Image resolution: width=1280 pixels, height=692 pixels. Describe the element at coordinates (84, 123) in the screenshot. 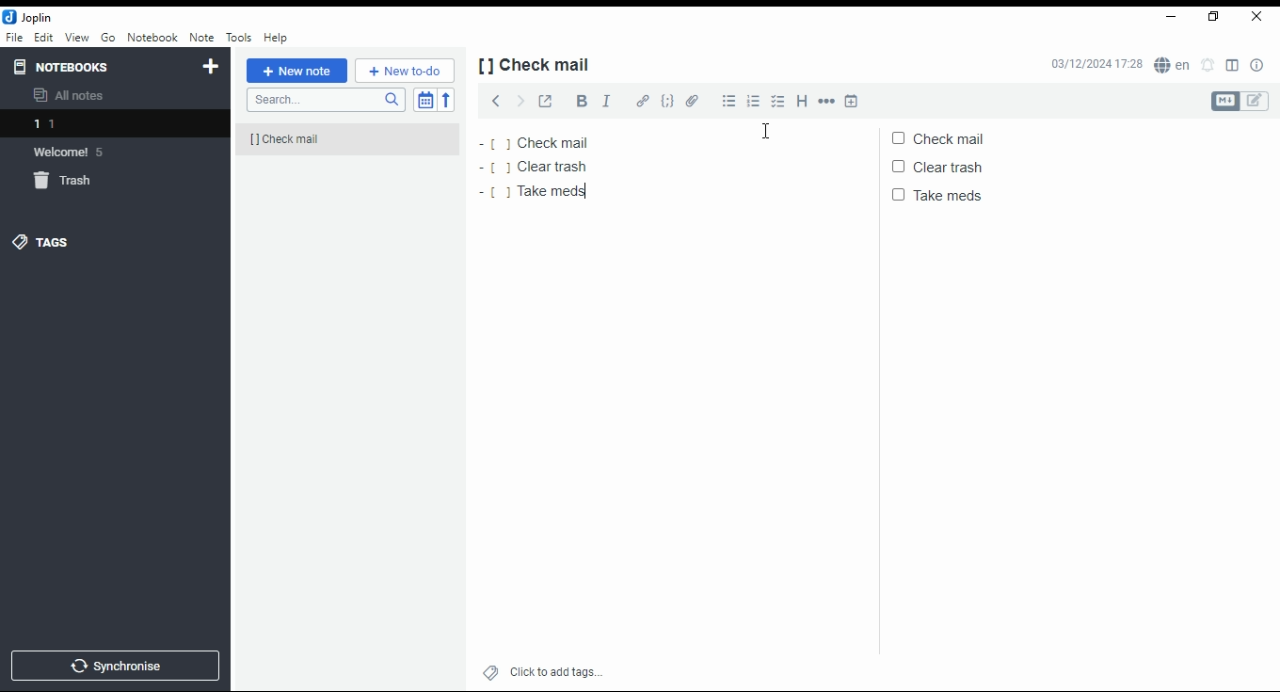

I see `notebook 1` at that location.